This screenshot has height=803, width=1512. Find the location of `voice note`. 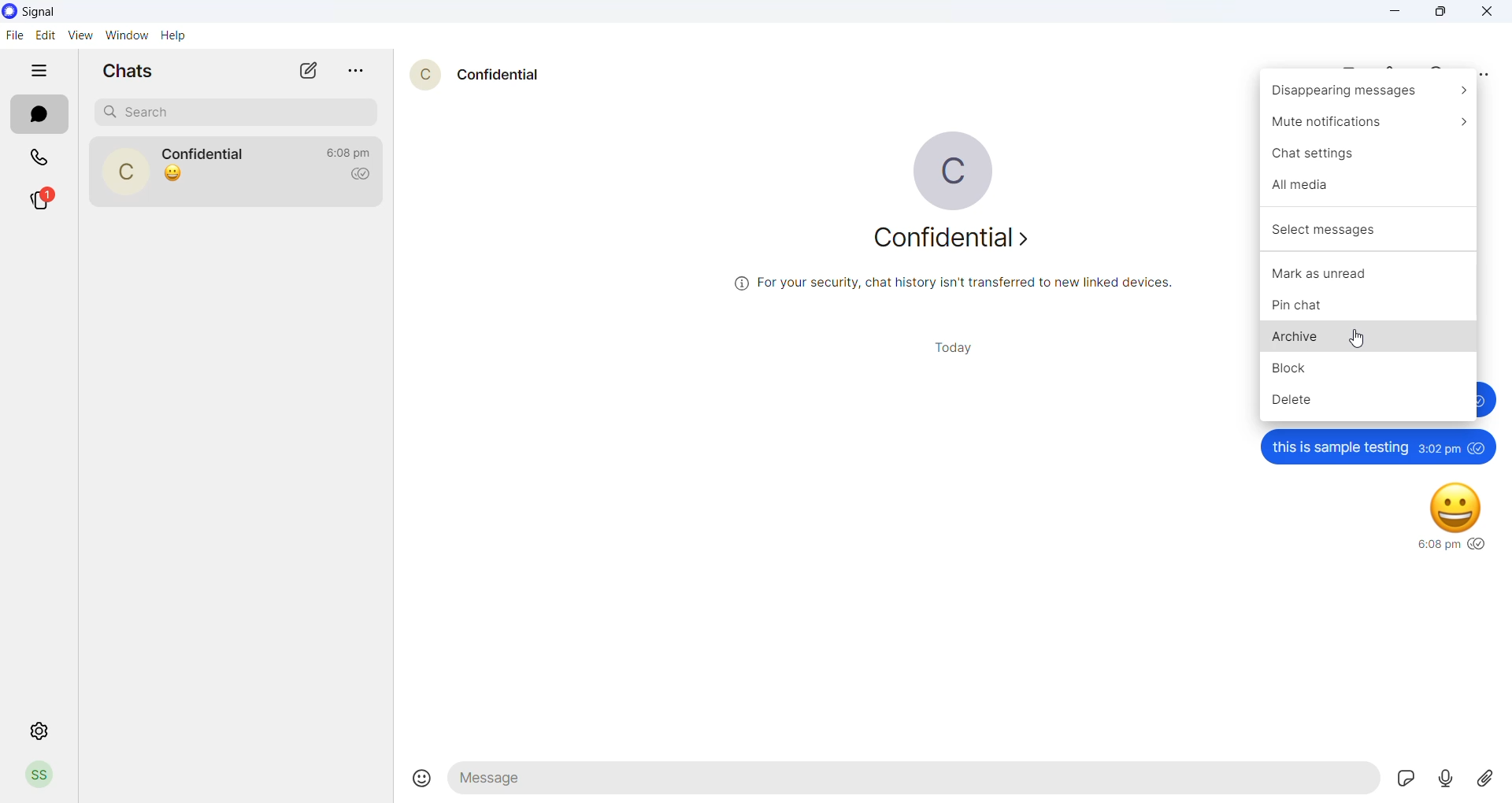

voice note is located at coordinates (1444, 779).